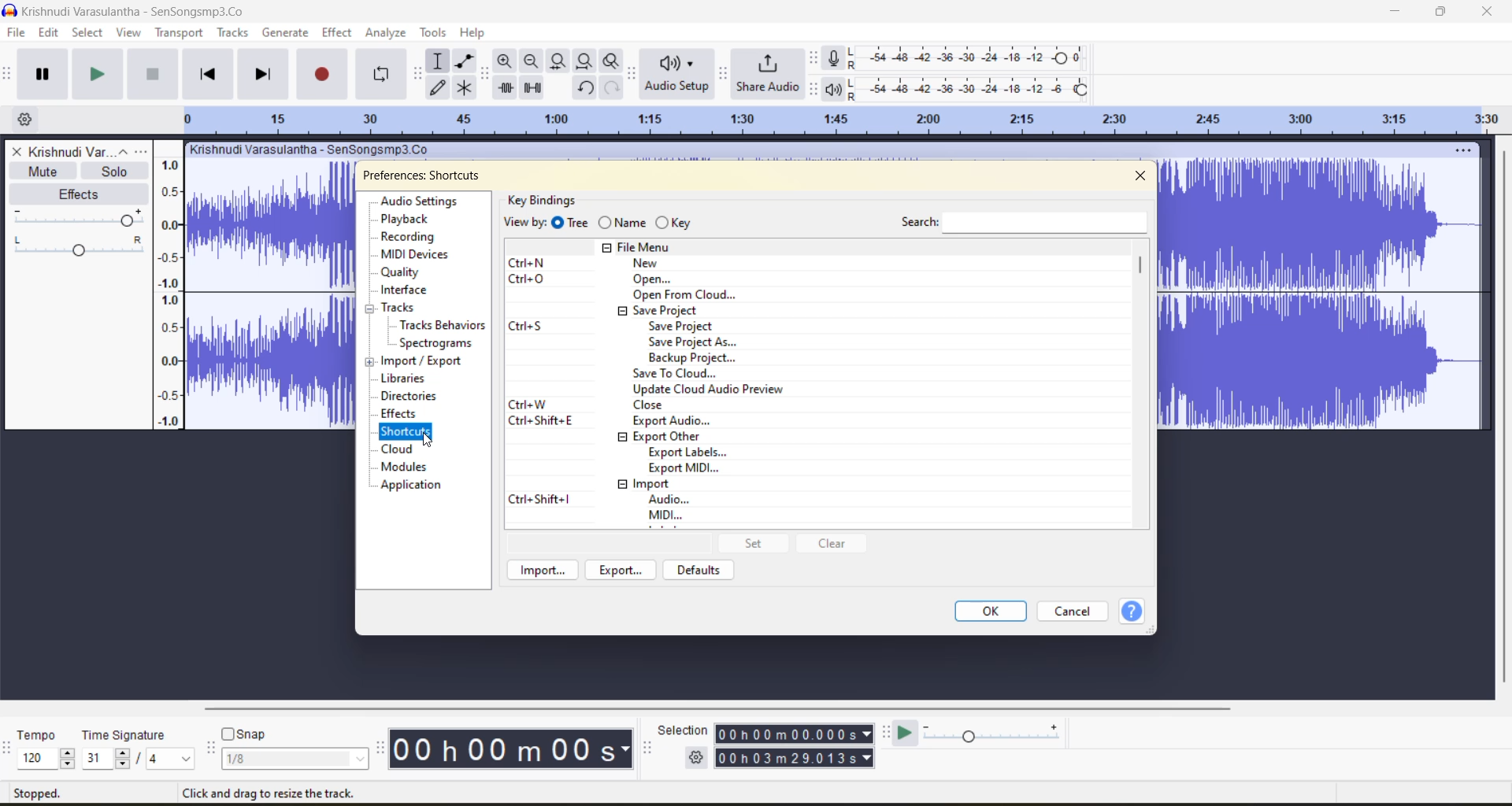 Image resolution: width=1512 pixels, height=806 pixels. I want to click on playback speed, so click(993, 732).